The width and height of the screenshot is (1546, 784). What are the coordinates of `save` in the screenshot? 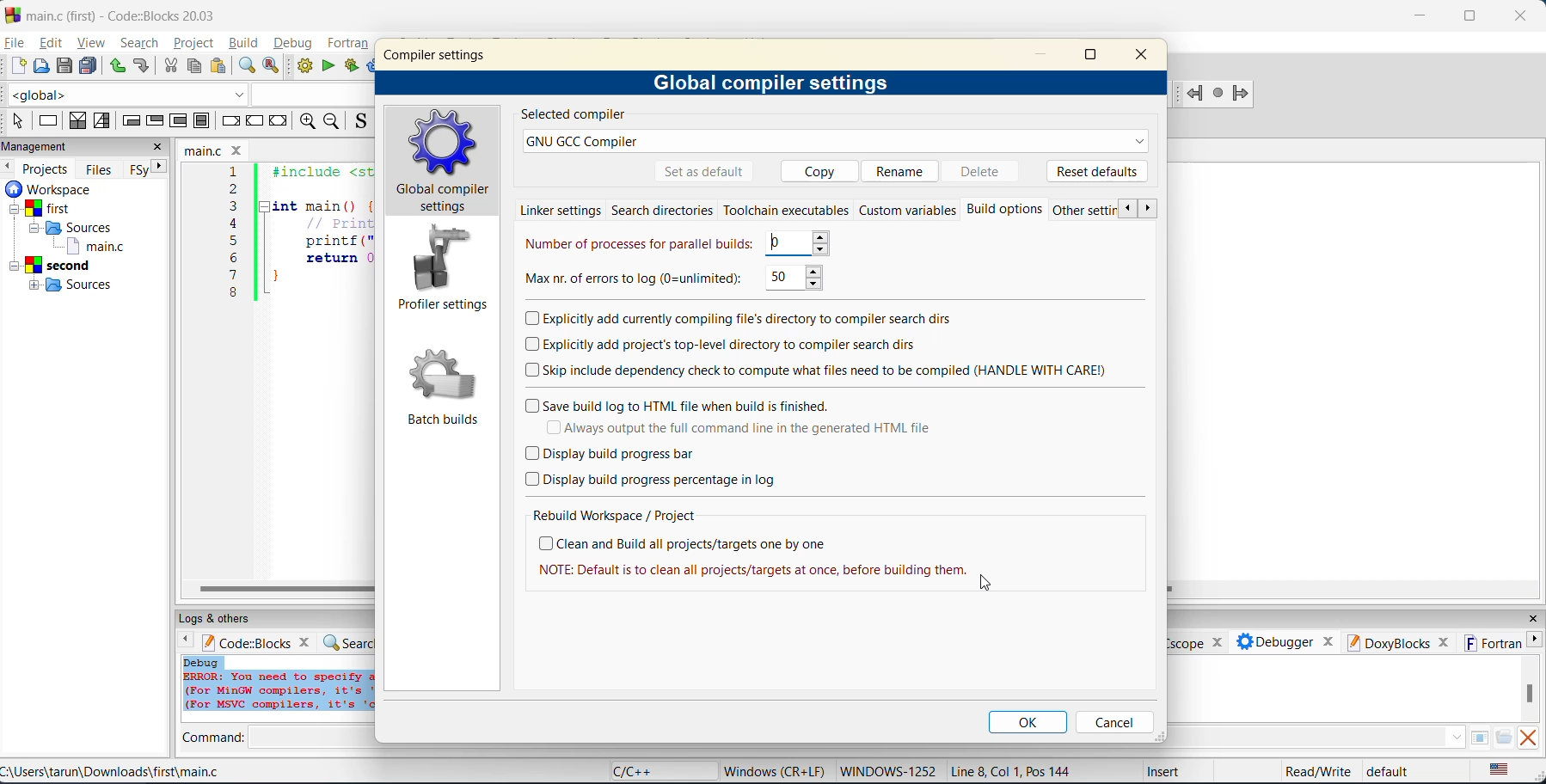 It's located at (64, 67).